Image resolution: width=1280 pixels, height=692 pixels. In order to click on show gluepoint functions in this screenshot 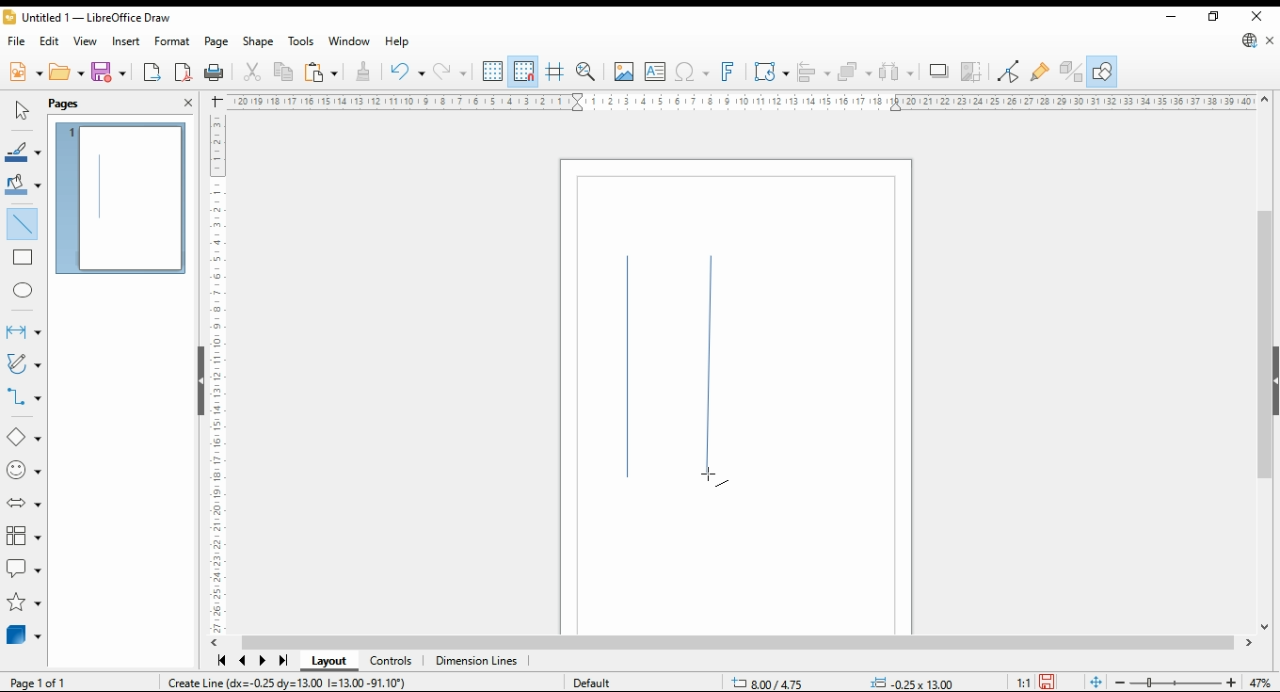, I will do `click(1040, 70)`.